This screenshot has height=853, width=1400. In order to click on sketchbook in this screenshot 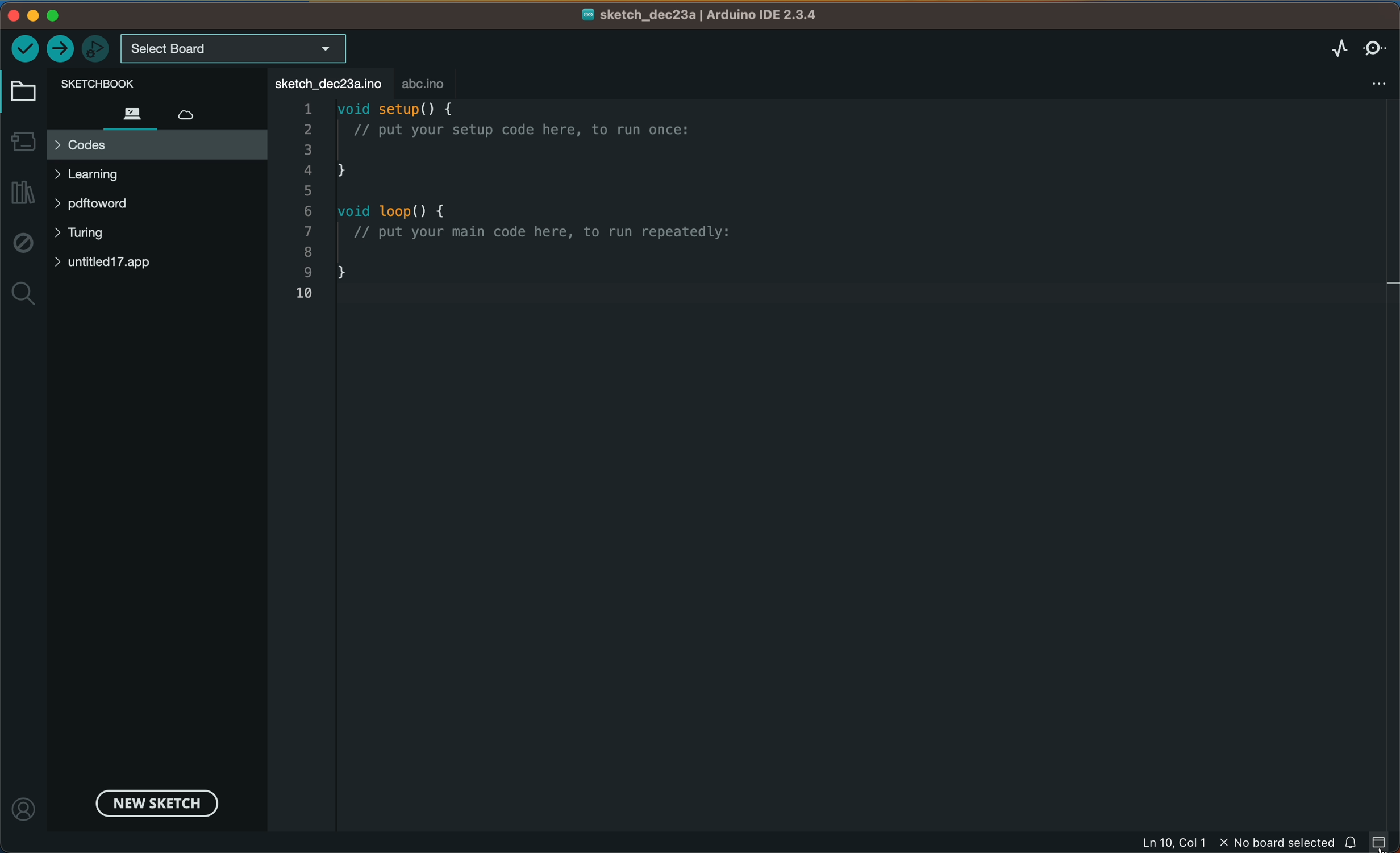, I will do `click(126, 82)`.